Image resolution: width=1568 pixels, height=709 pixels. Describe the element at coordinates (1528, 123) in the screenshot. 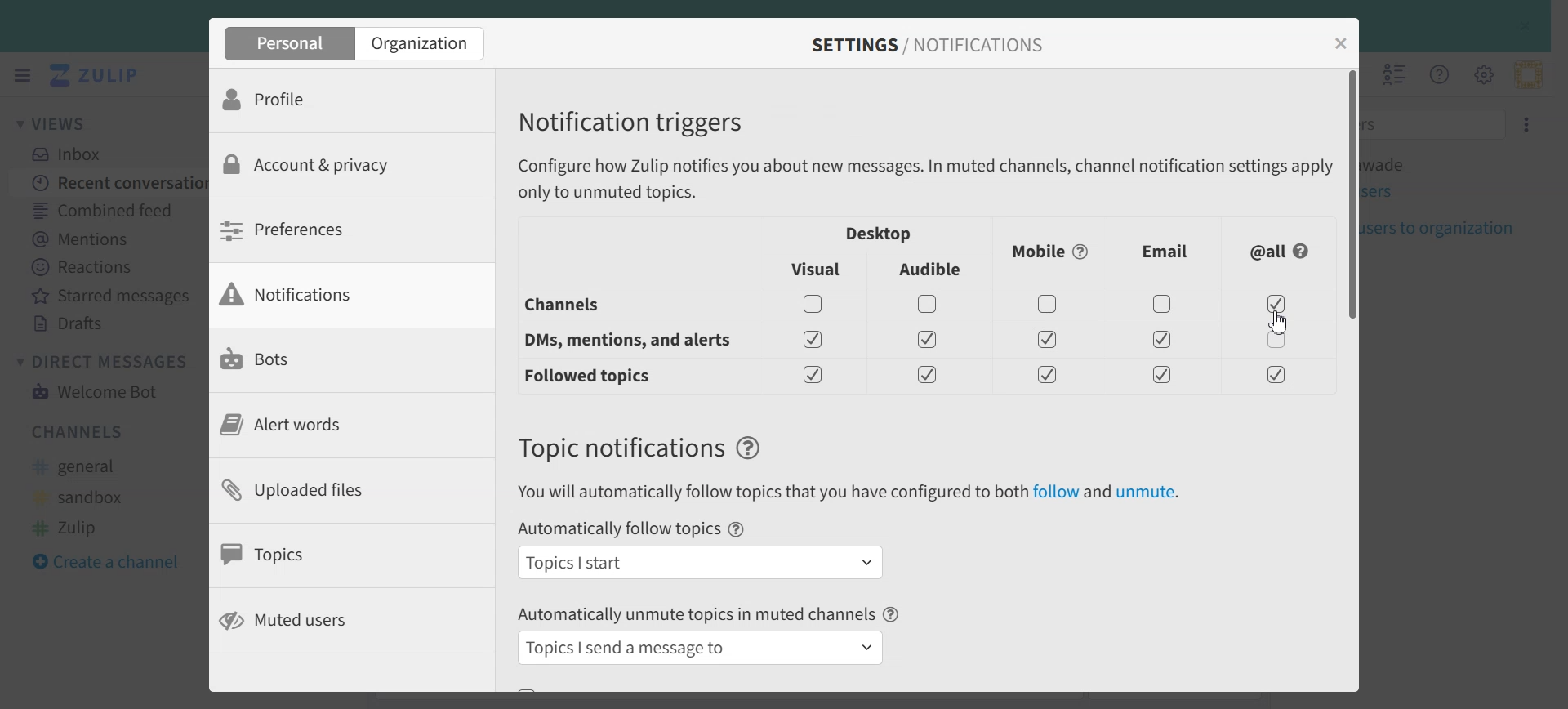

I see `Settings` at that location.